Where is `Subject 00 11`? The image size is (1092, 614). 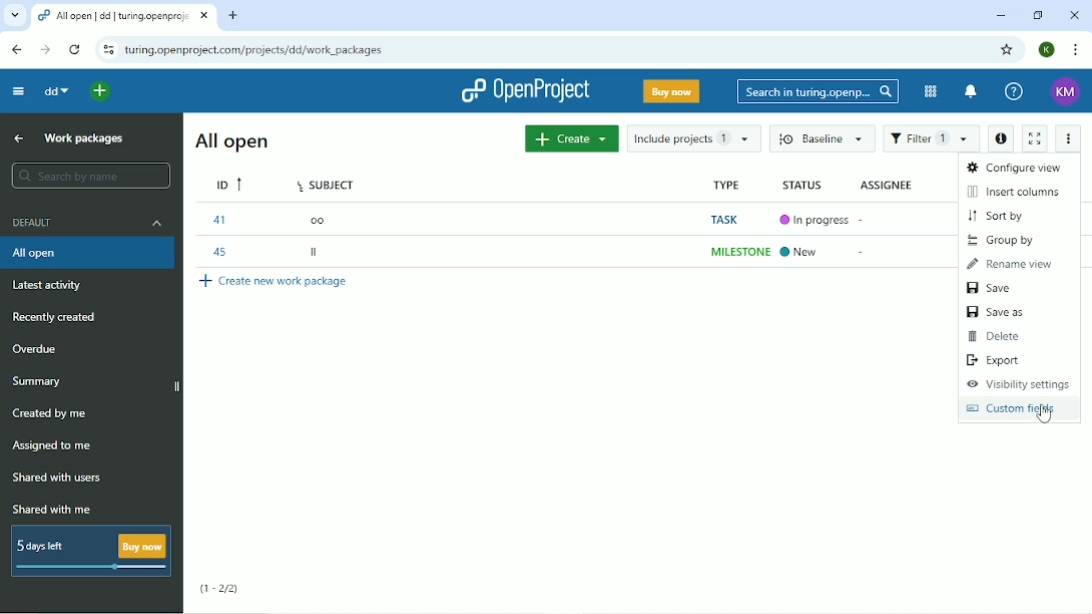 Subject 00 11 is located at coordinates (324, 183).